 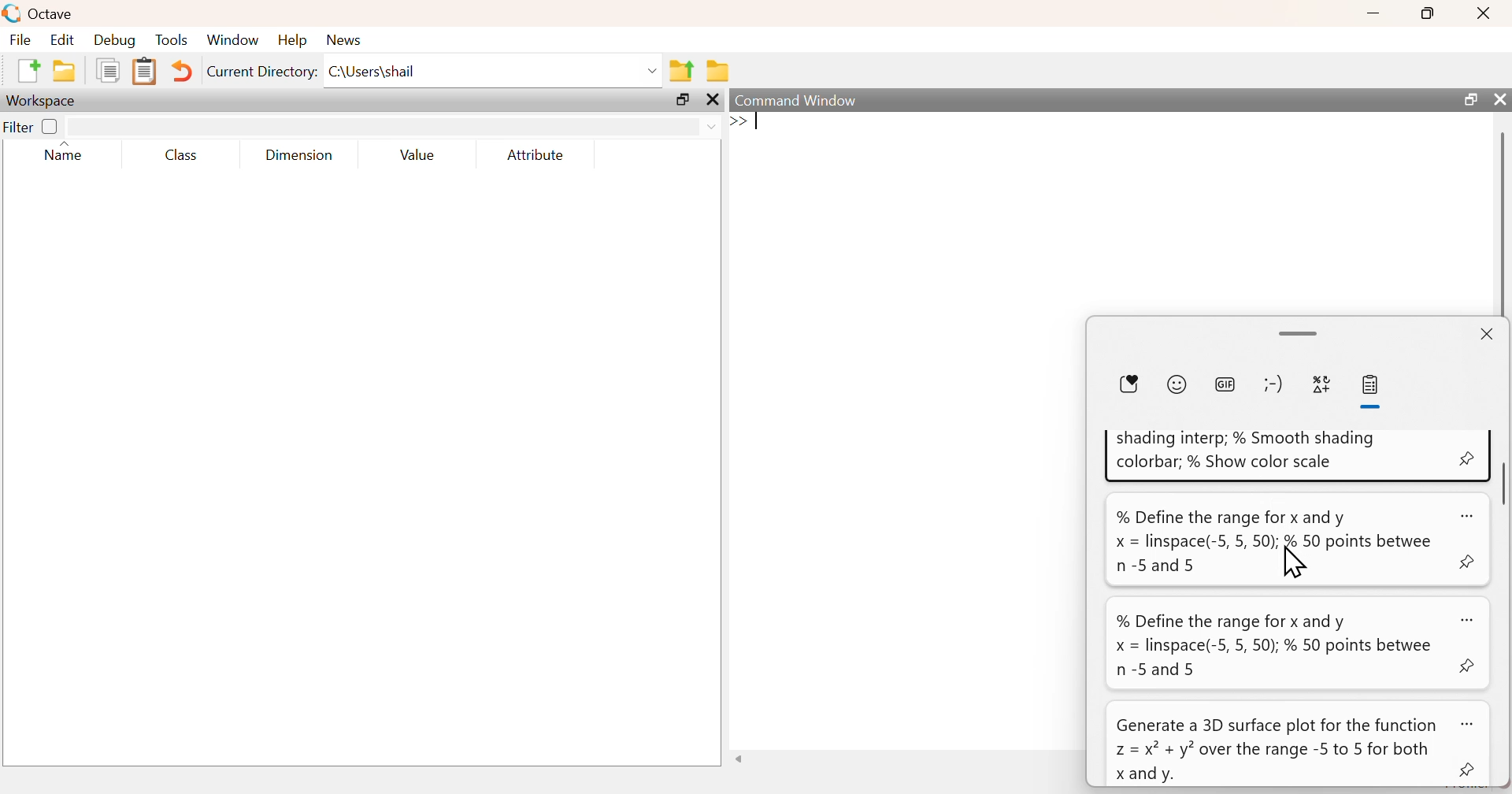 What do you see at coordinates (1224, 384) in the screenshot?
I see `GIF` at bounding box center [1224, 384].